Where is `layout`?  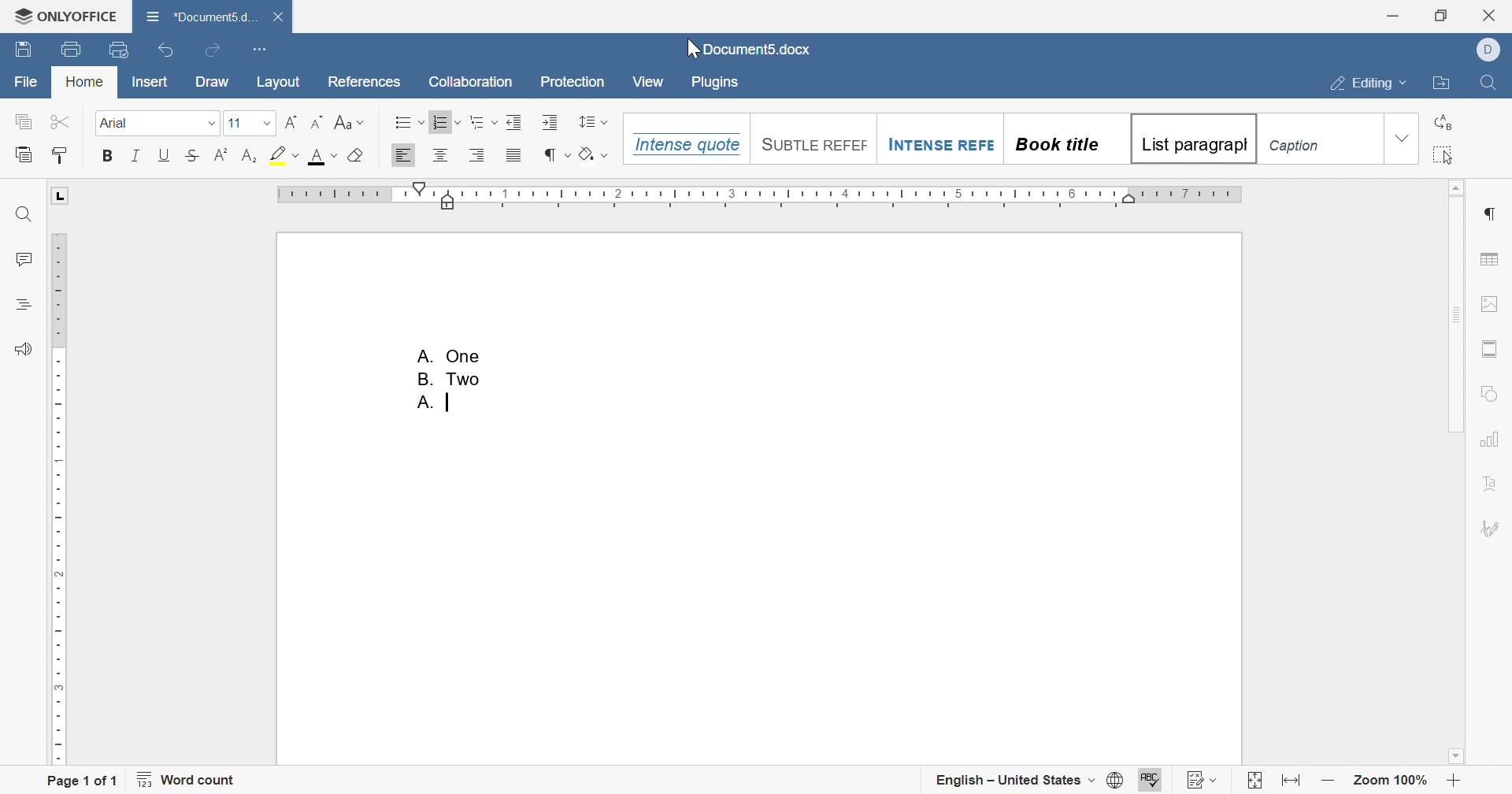
layout is located at coordinates (282, 84).